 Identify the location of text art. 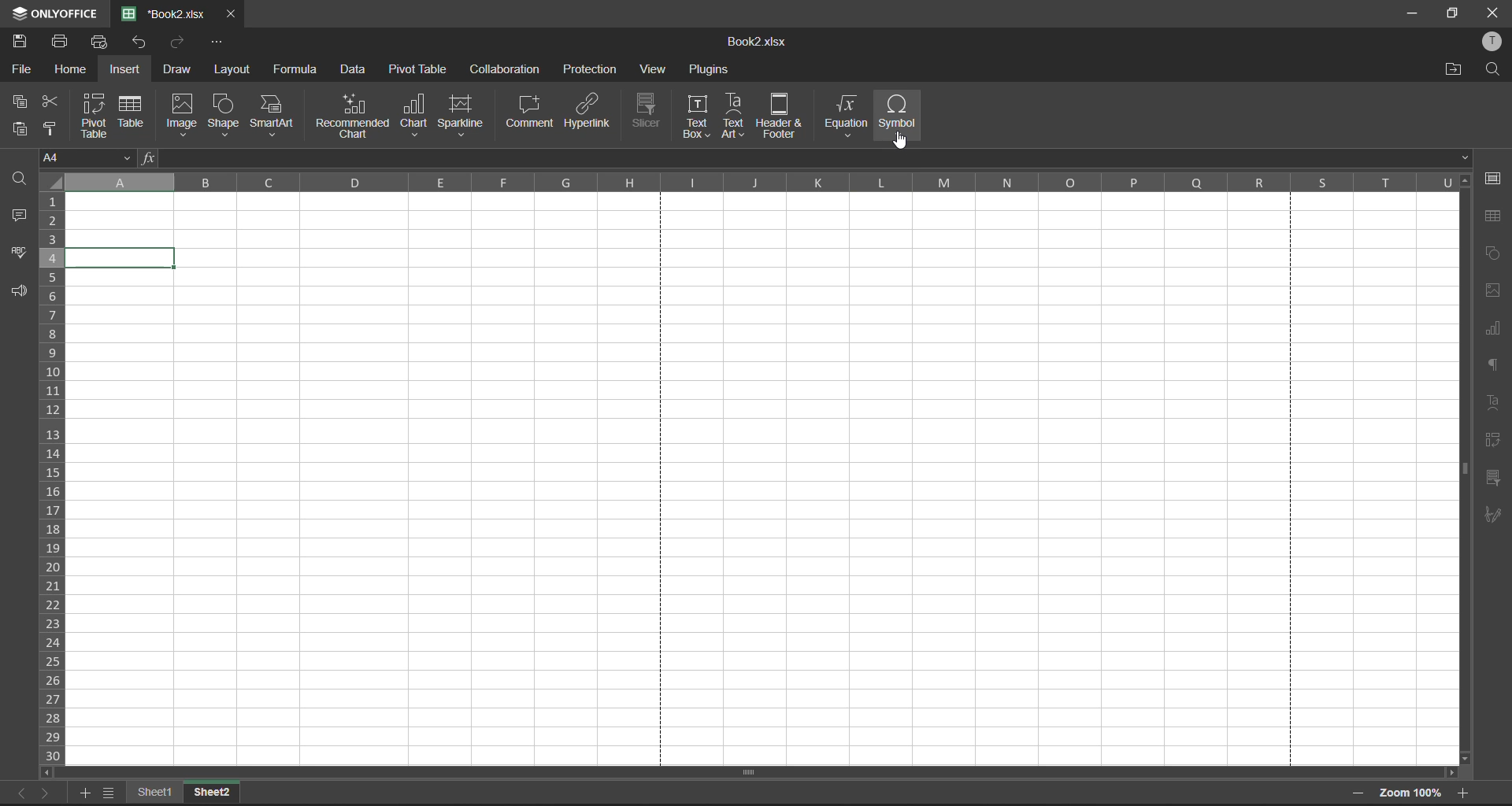
(735, 116).